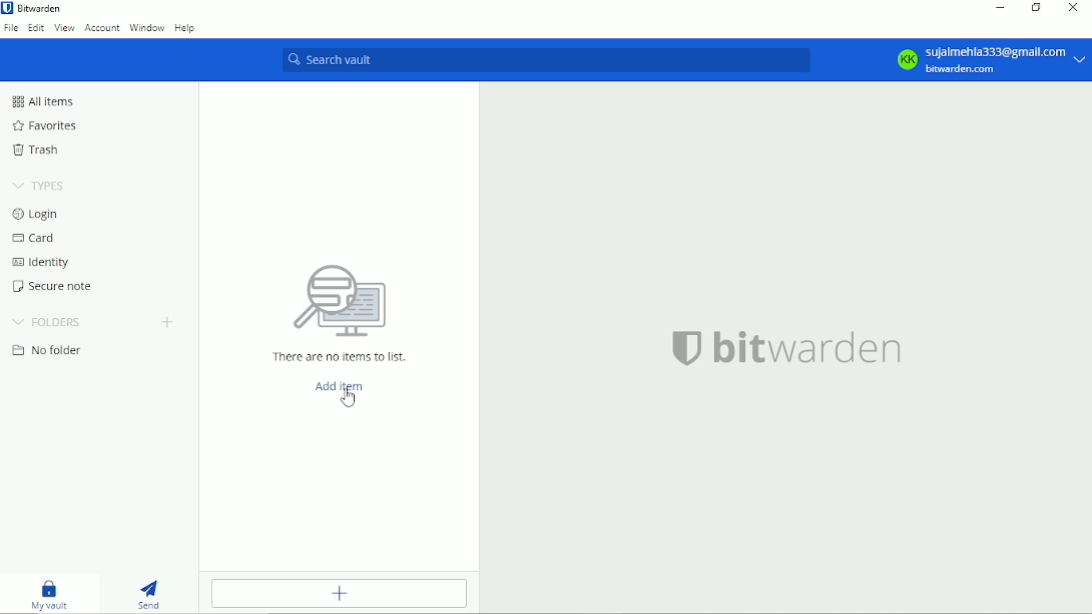  I want to click on No folder, so click(47, 350).